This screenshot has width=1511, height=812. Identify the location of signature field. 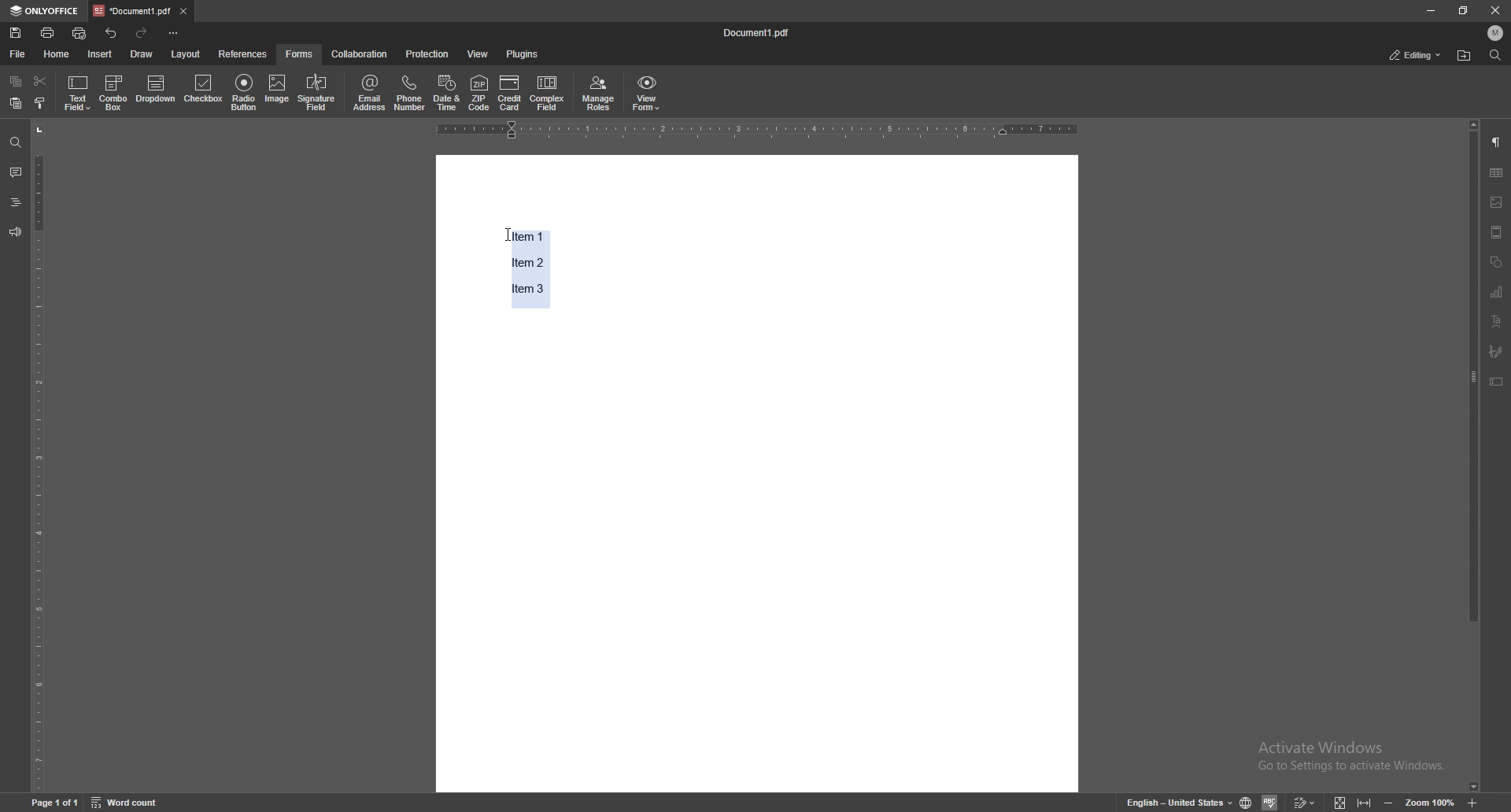
(317, 93).